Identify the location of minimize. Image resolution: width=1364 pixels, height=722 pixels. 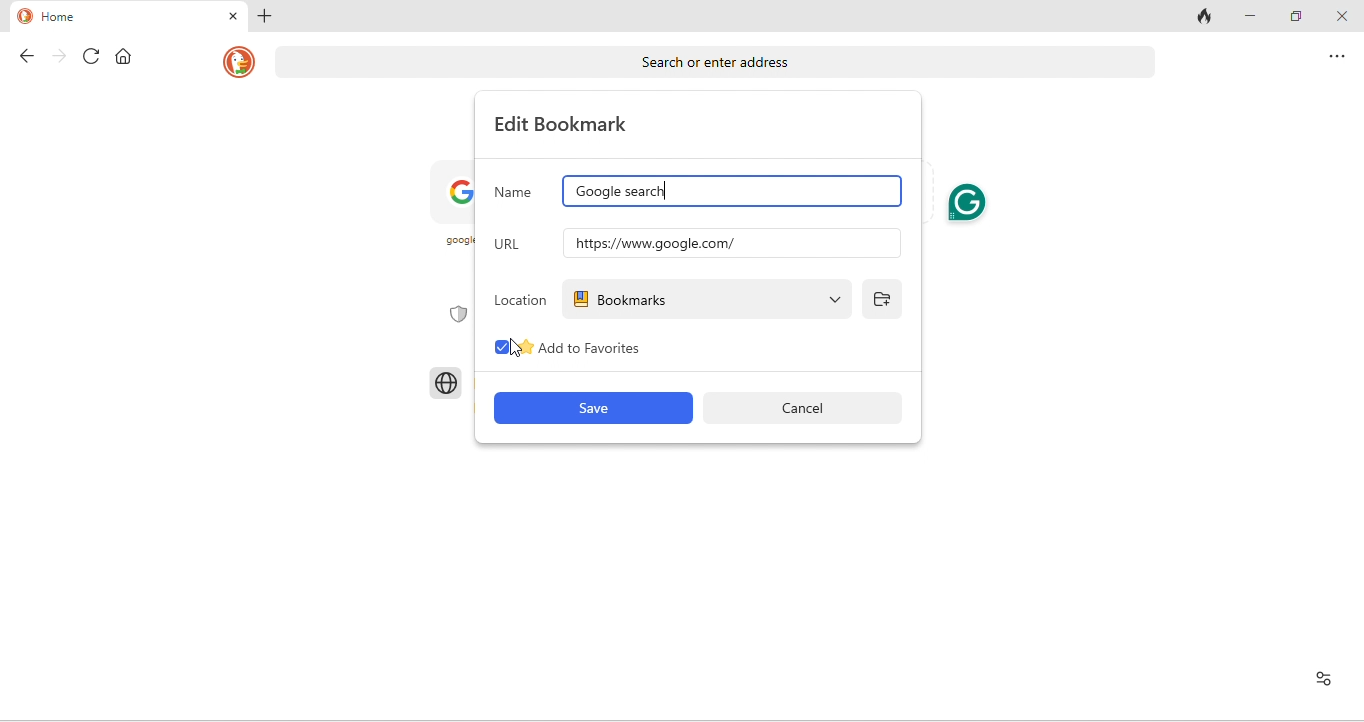
(1248, 16).